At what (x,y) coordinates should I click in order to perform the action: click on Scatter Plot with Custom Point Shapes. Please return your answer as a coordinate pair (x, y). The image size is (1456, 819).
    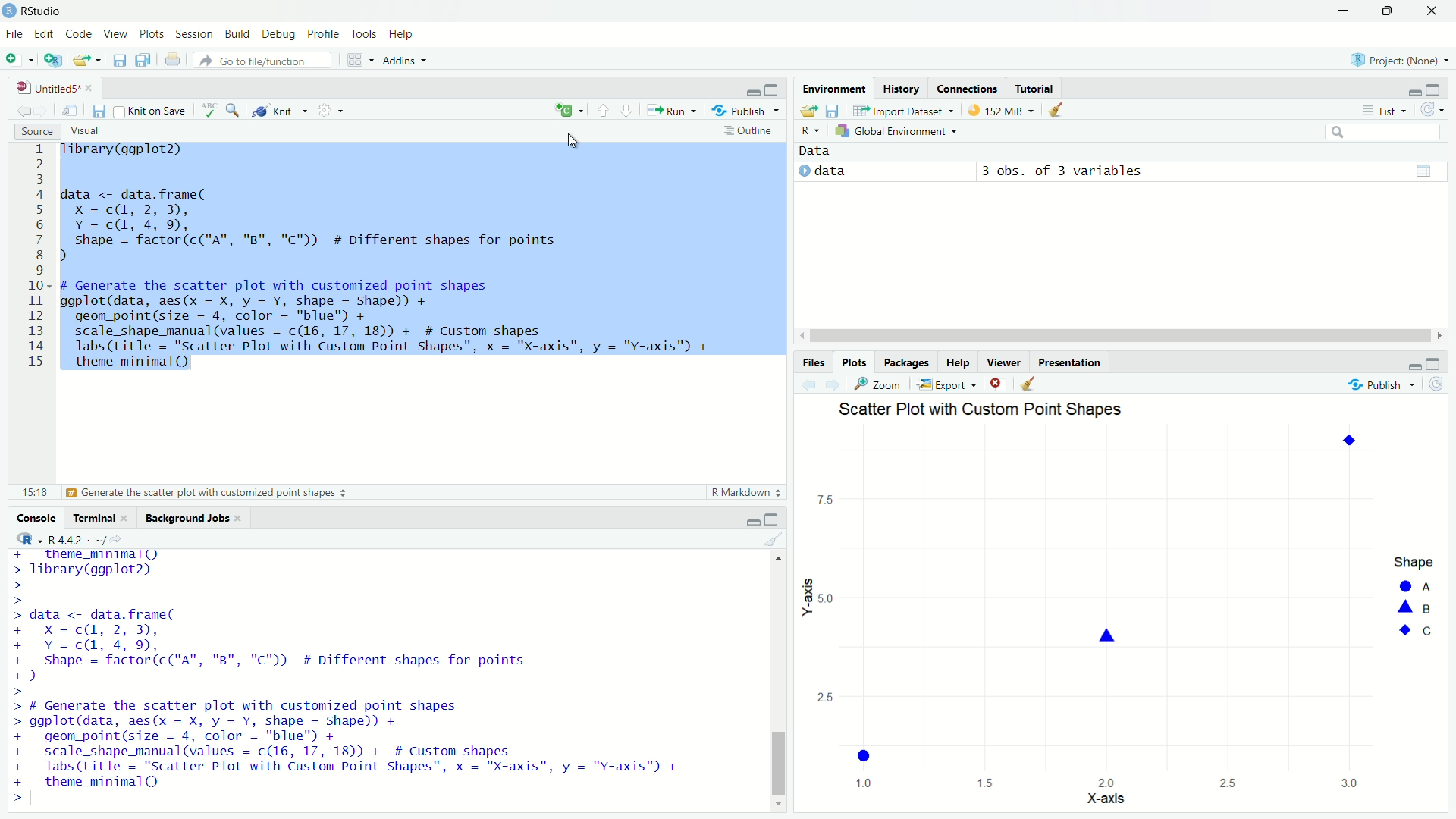
    Looking at the image, I should click on (980, 408).